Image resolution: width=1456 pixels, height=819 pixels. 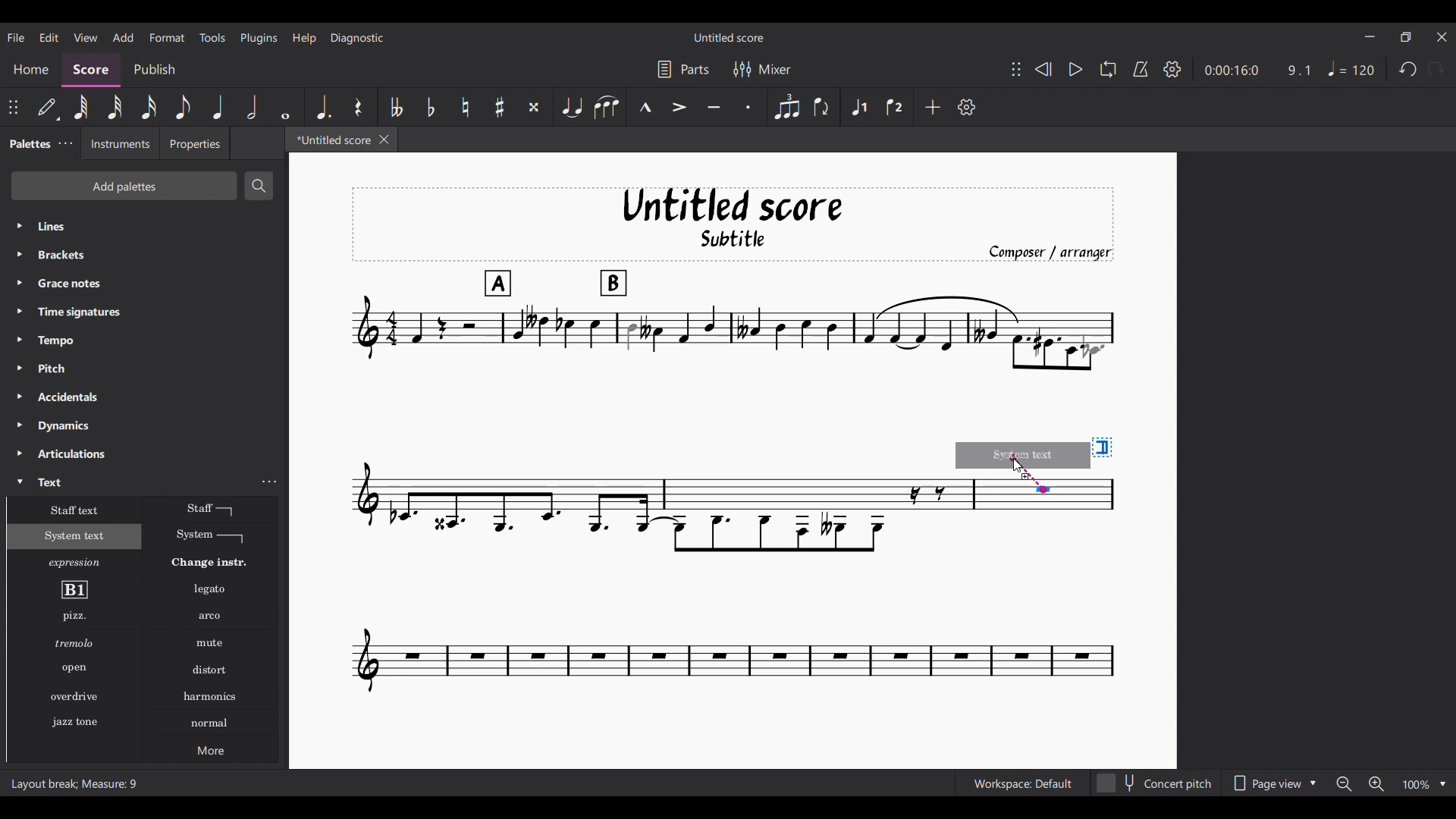 What do you see at coordinates (1298, 70) in the screenshot?
I see `9.1` at bounding box center [1298, 70].